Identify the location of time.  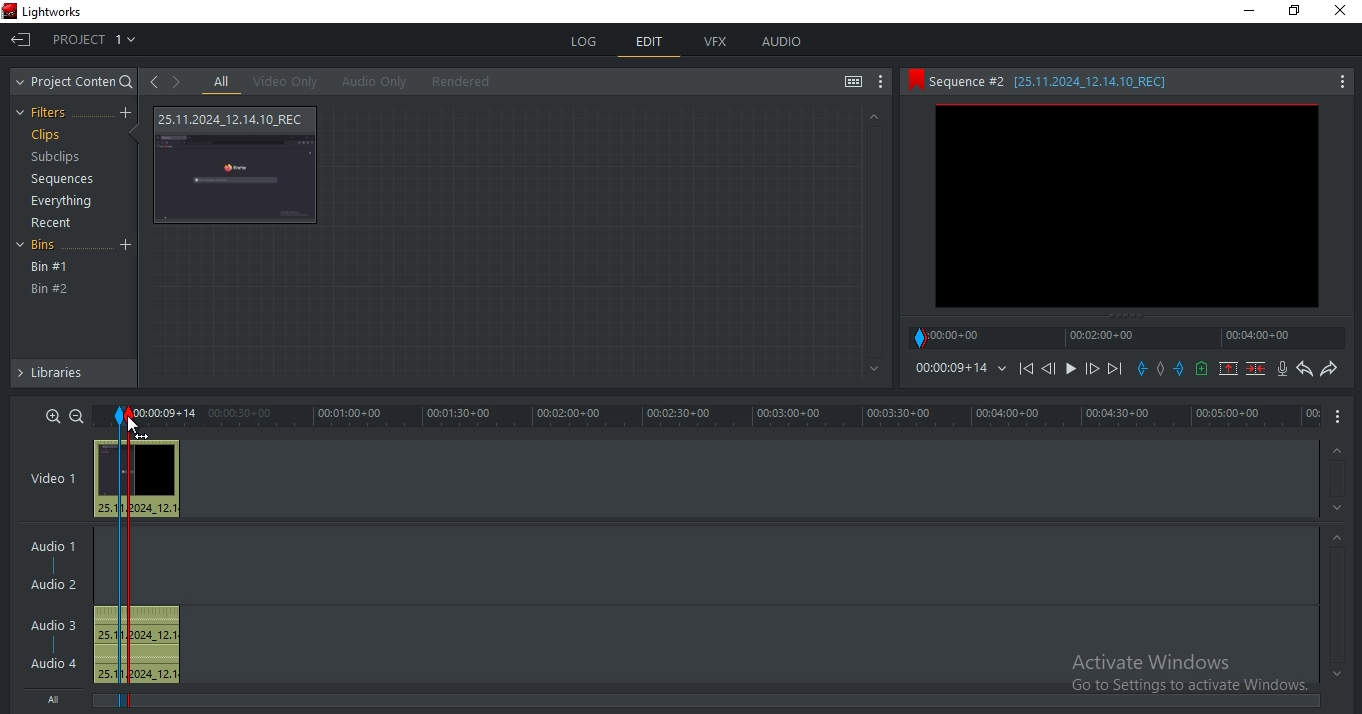
(960, 368).